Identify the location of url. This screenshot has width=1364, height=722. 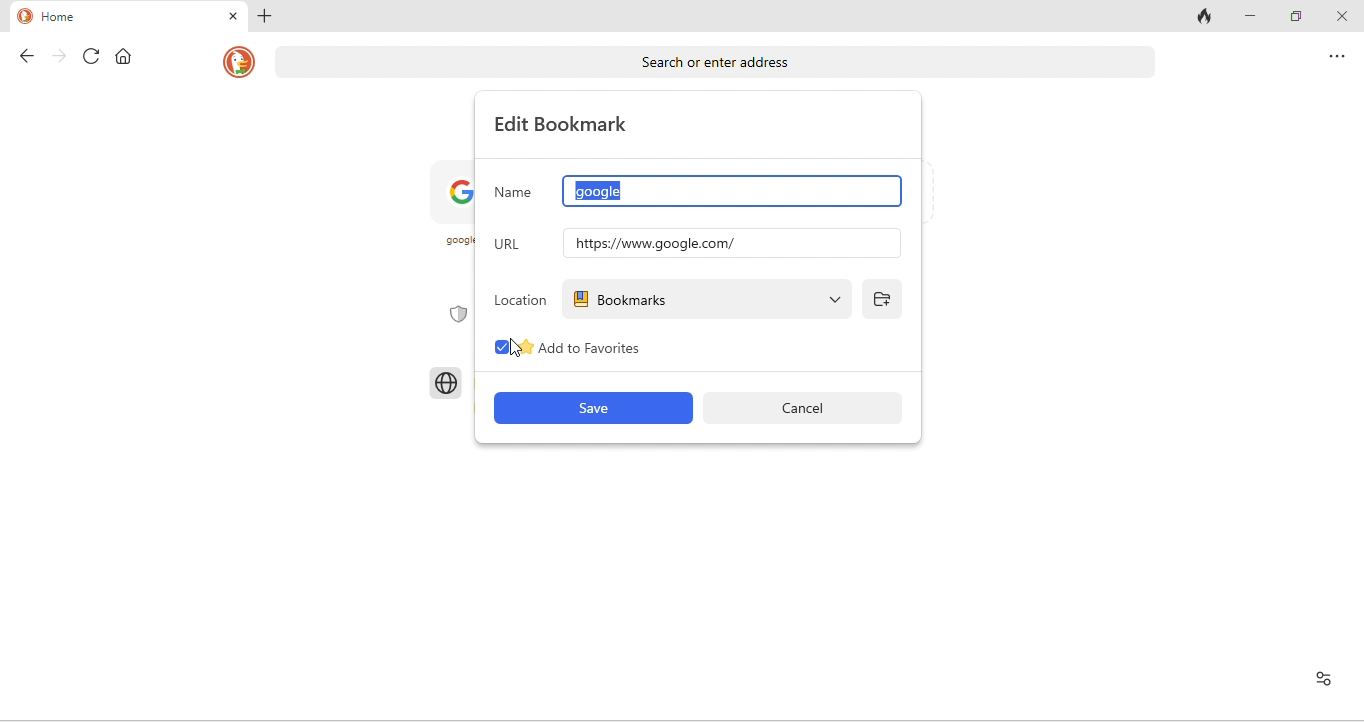
(515, 241).